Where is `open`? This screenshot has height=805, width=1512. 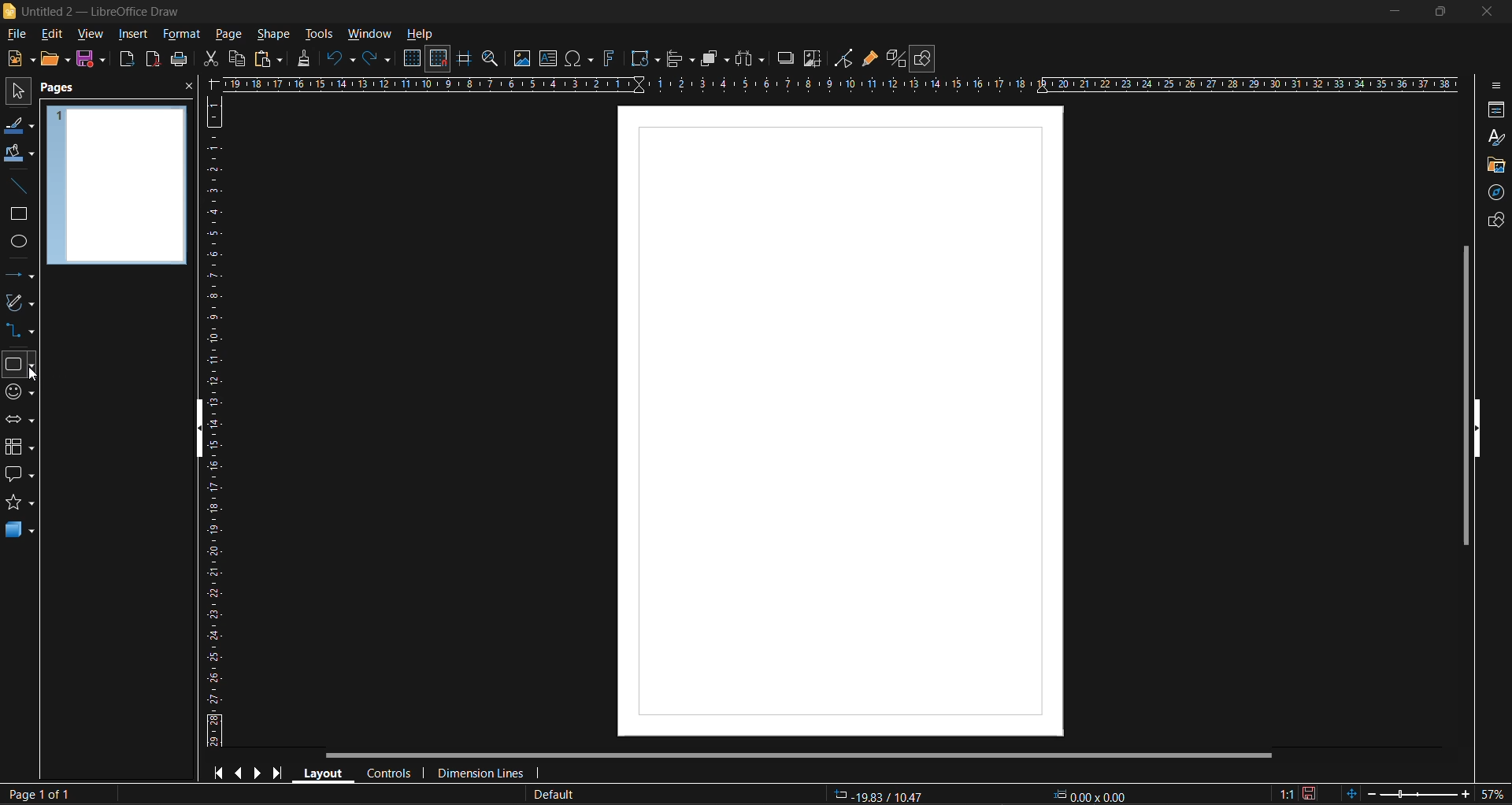 open is located at coordinates (55, 60).